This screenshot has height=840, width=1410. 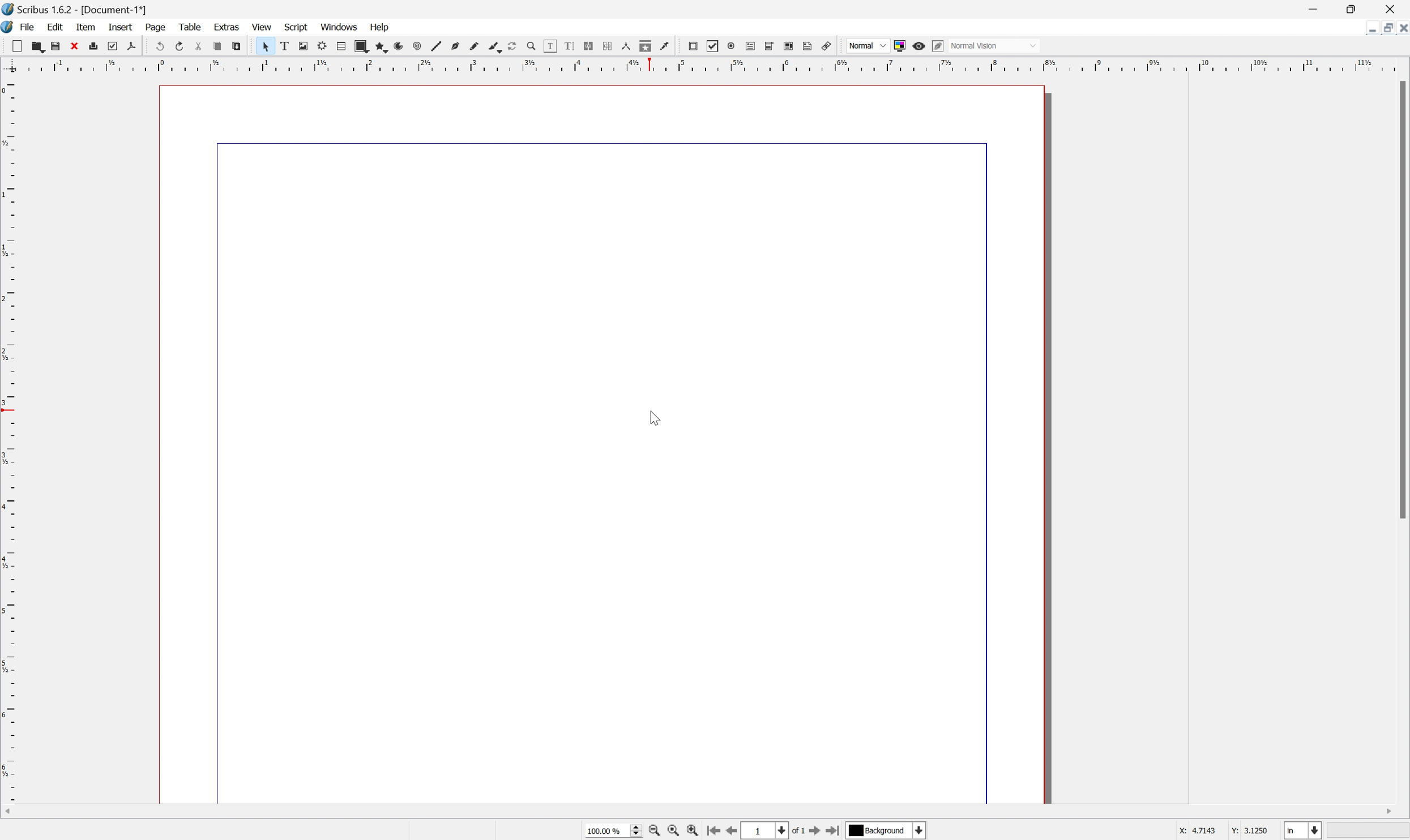 I want to click on line, so click(x=434, y=47).